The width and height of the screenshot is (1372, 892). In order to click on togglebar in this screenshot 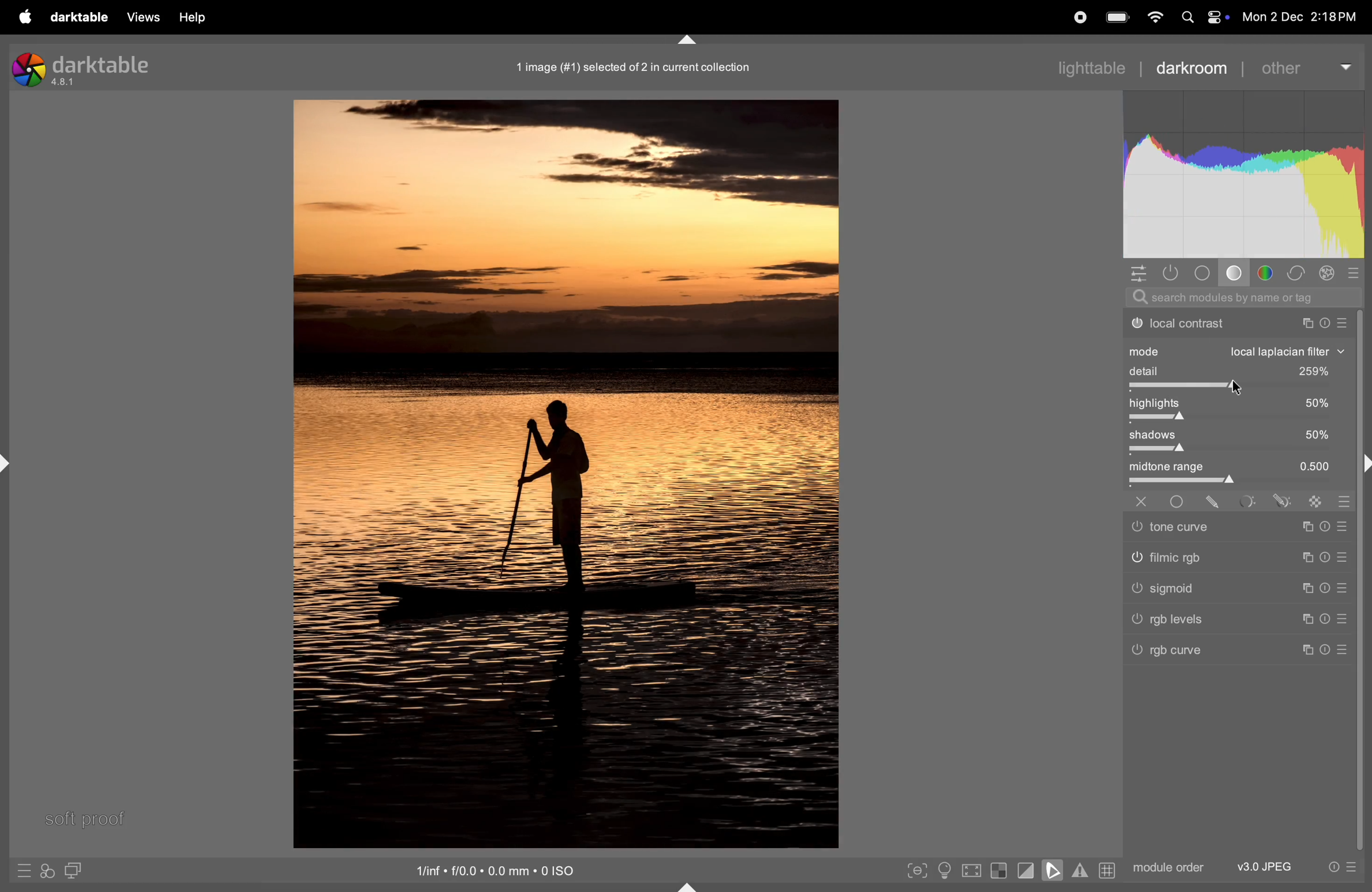, I will do `click(1238, 419)`.